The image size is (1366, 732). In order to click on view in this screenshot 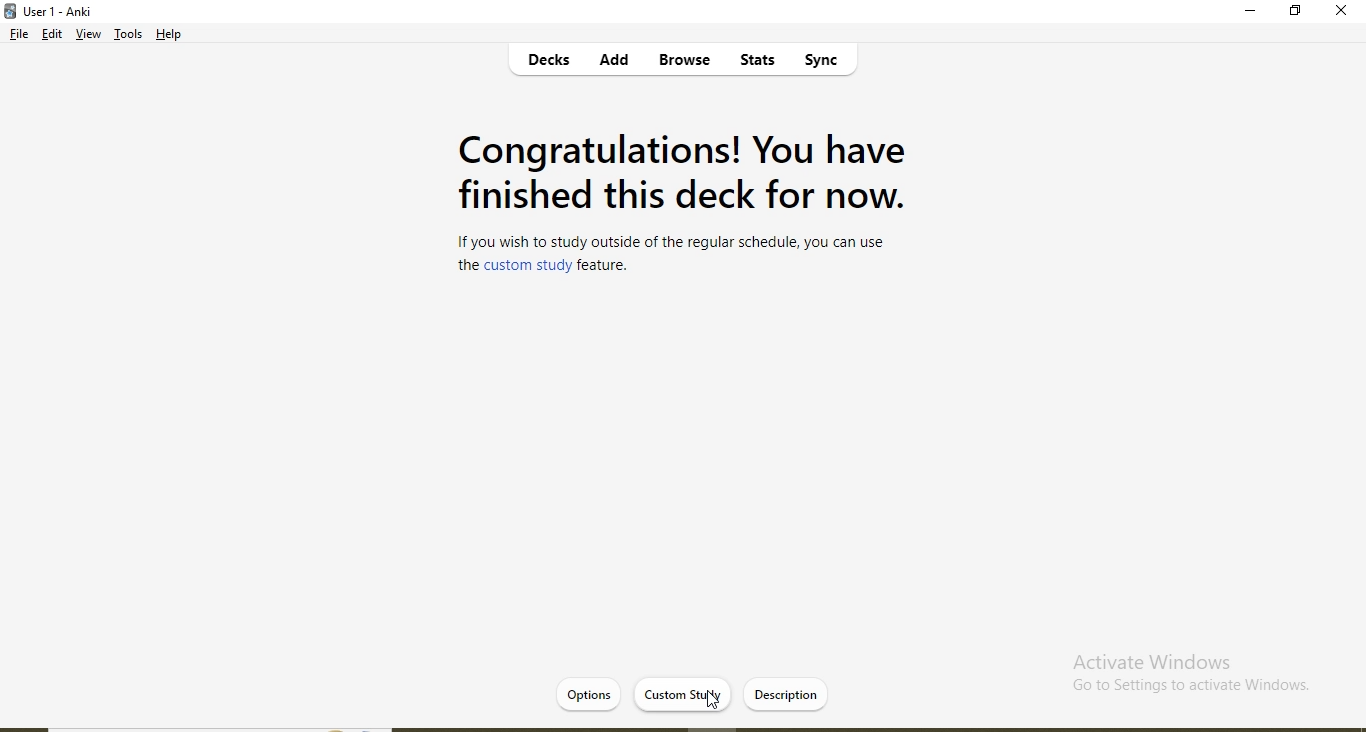, I will do `click(88, 36)`.